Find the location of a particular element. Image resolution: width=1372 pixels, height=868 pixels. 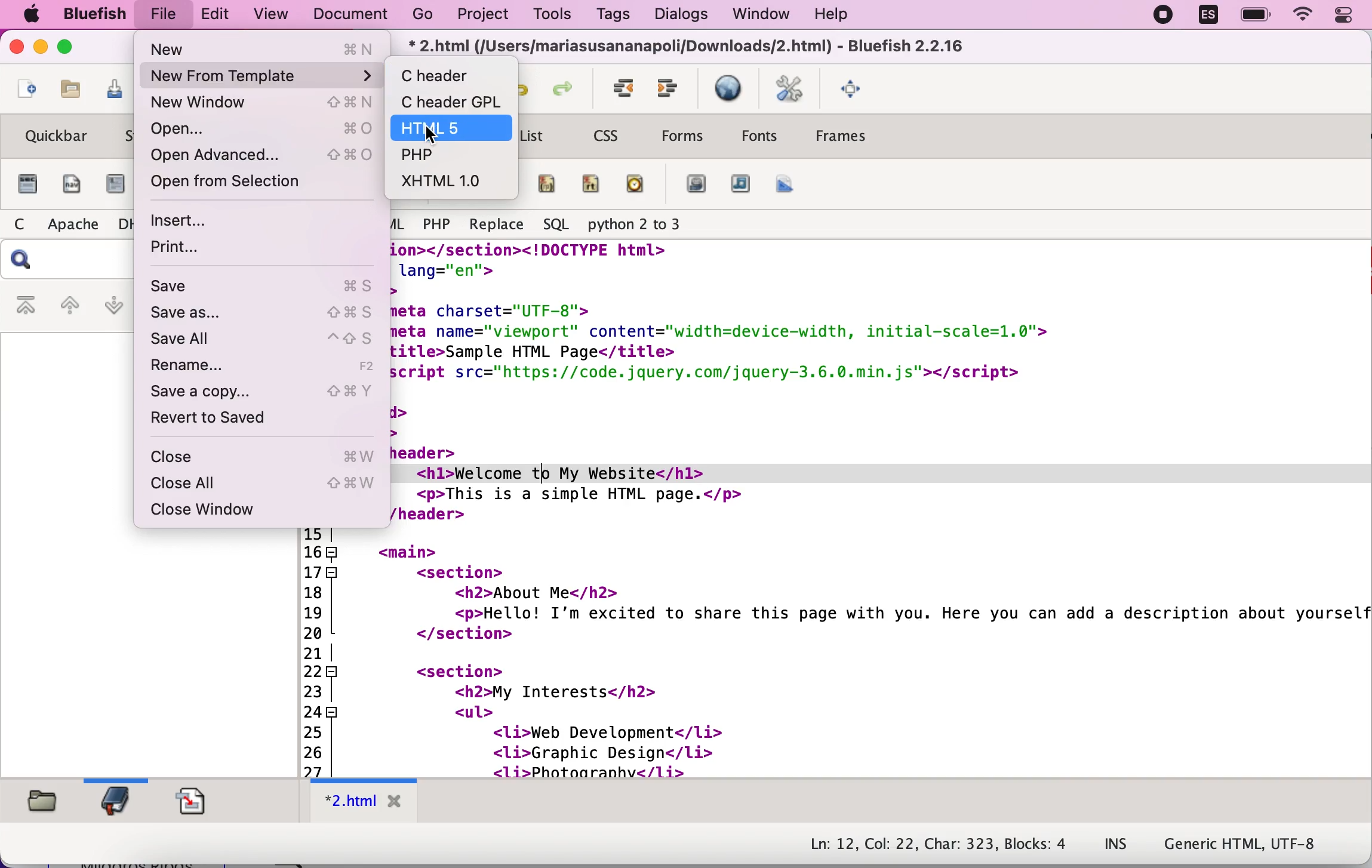

quickbar is located at coordinates (53, 136).